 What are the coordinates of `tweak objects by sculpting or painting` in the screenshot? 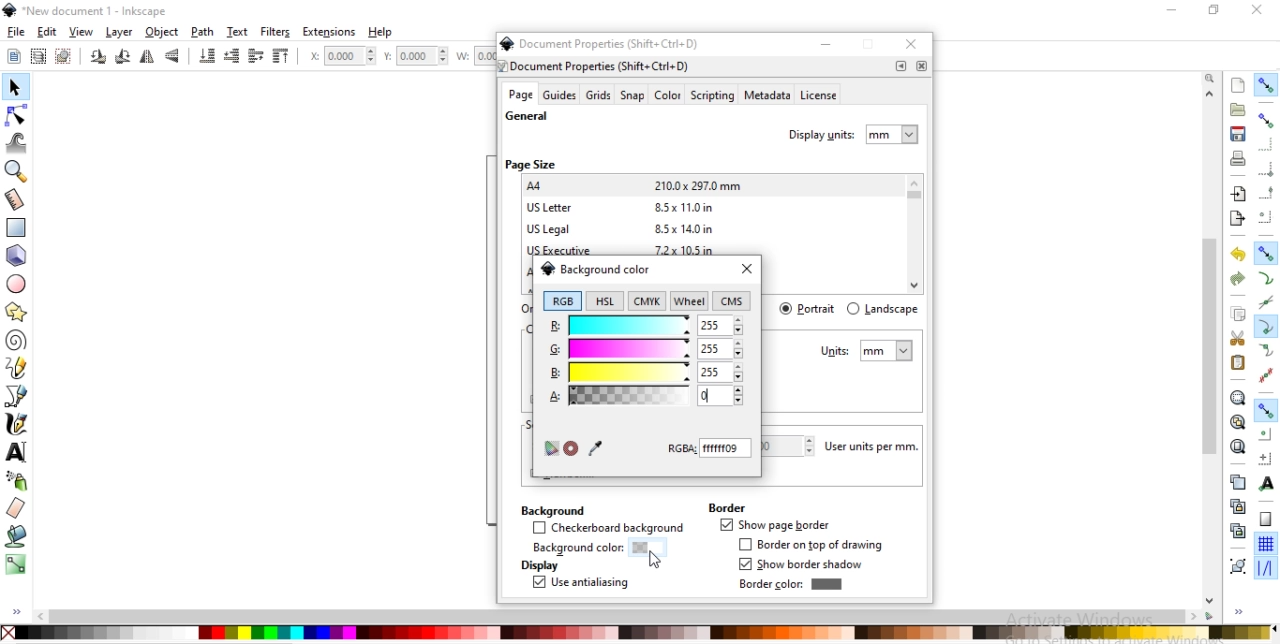 It's located at (18, 142).